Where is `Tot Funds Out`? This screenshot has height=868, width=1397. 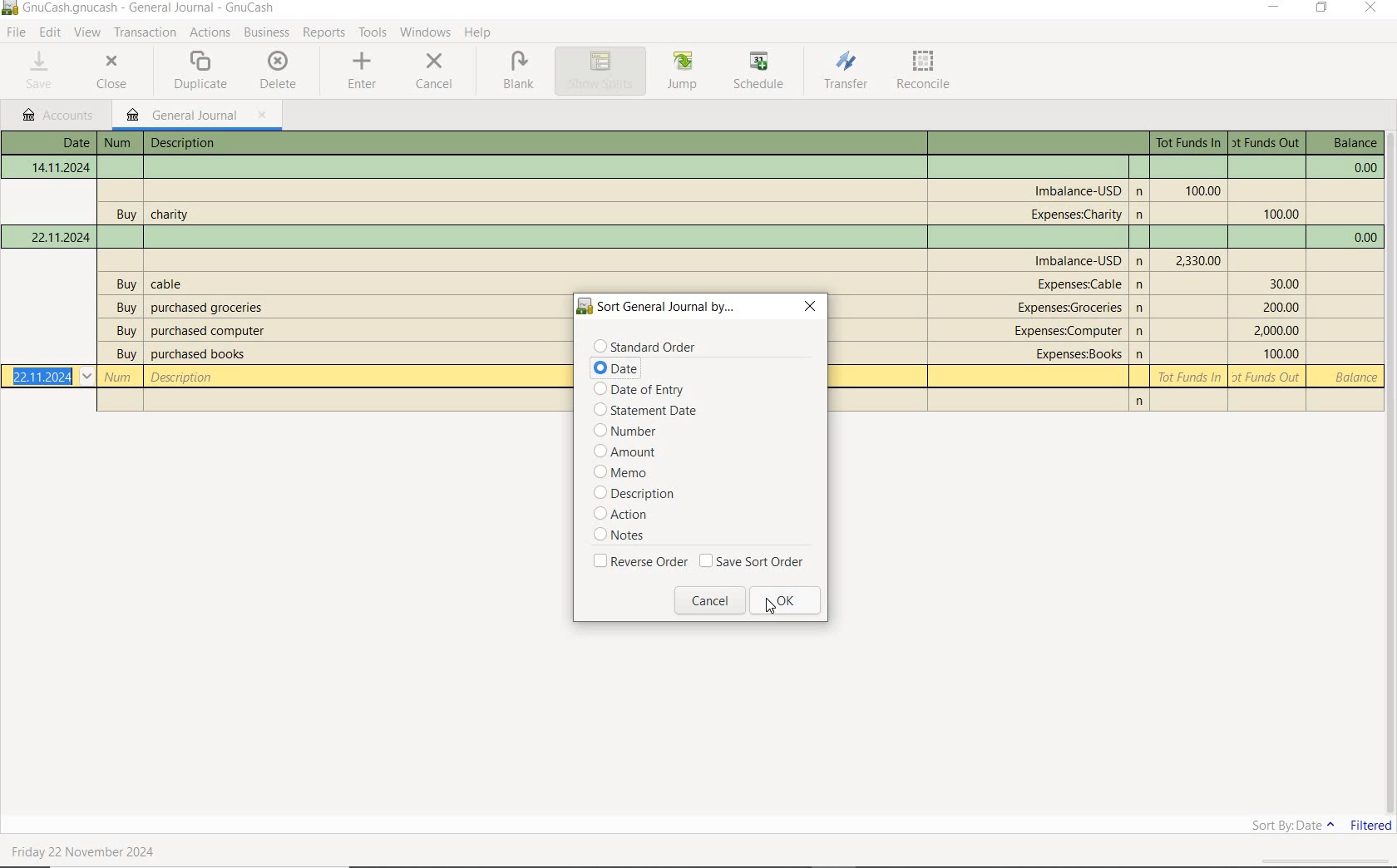
Tot Funds Out is located at coordinates (1281, 308).